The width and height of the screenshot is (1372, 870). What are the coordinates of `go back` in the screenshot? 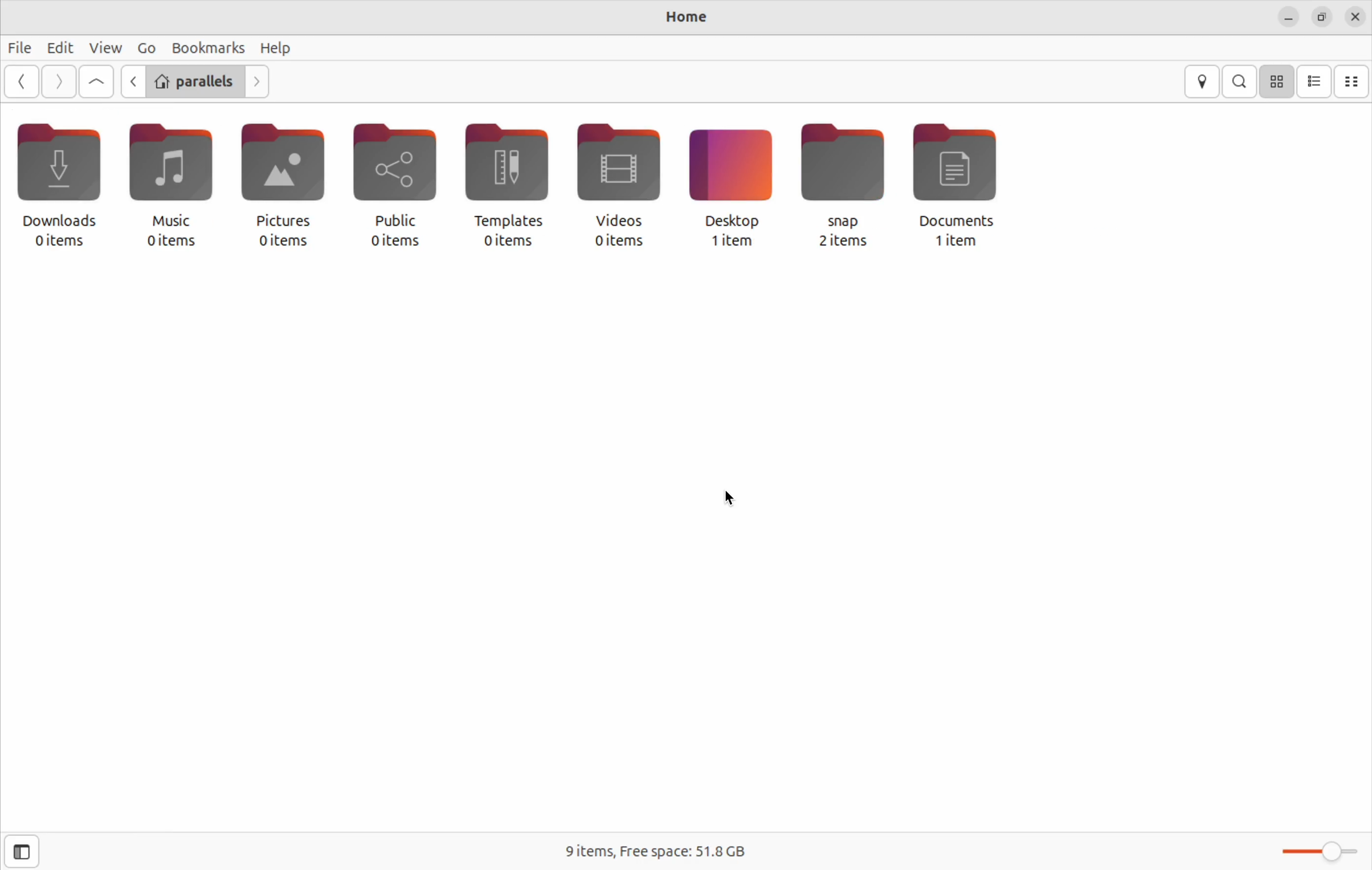 It's located at (21, 81).